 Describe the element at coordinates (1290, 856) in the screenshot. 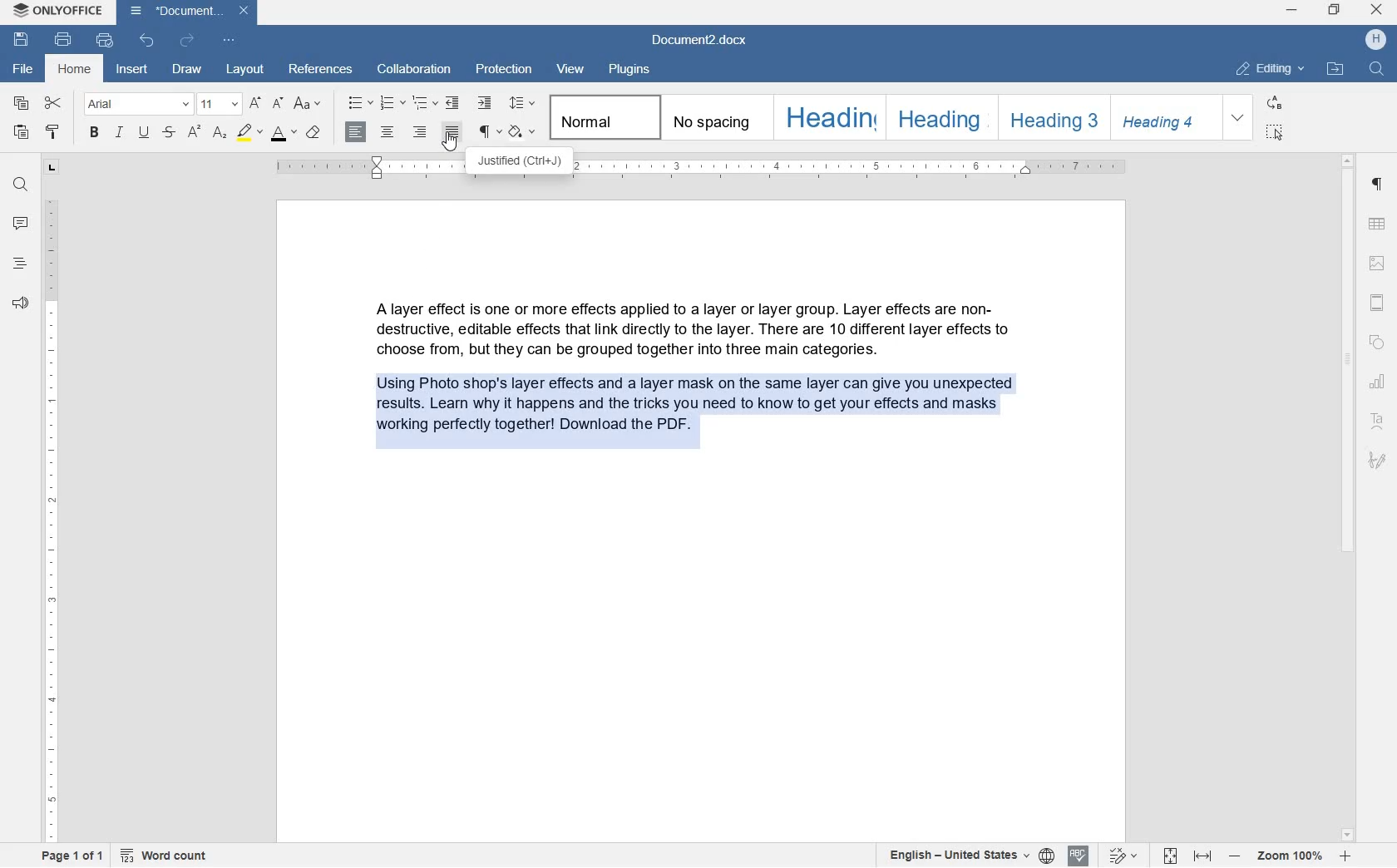

I see `ZOOM IN OR ZOOM OUT` at that location.